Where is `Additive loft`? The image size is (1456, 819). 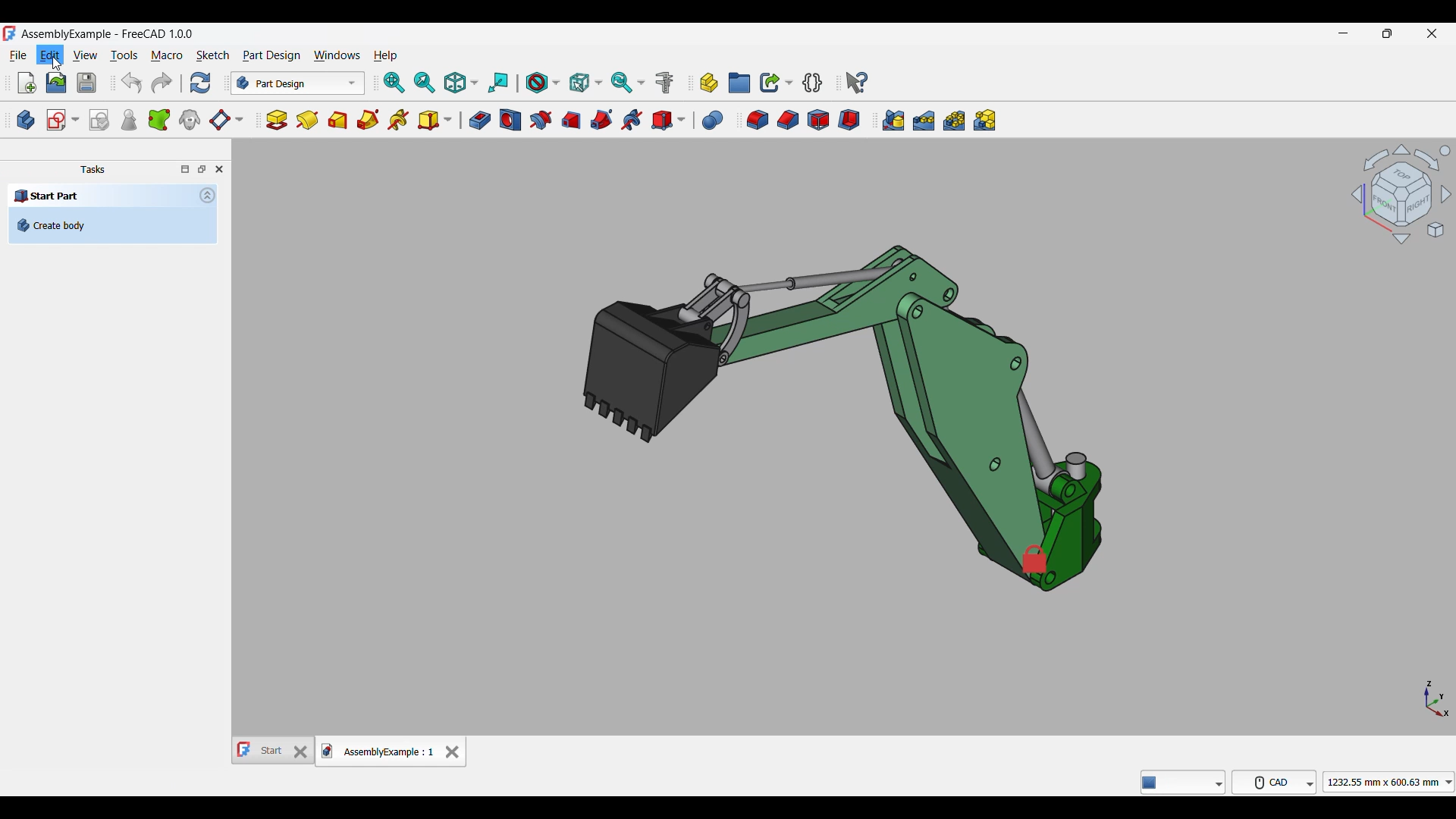 Additive loft is located at coordinates (337, 120).